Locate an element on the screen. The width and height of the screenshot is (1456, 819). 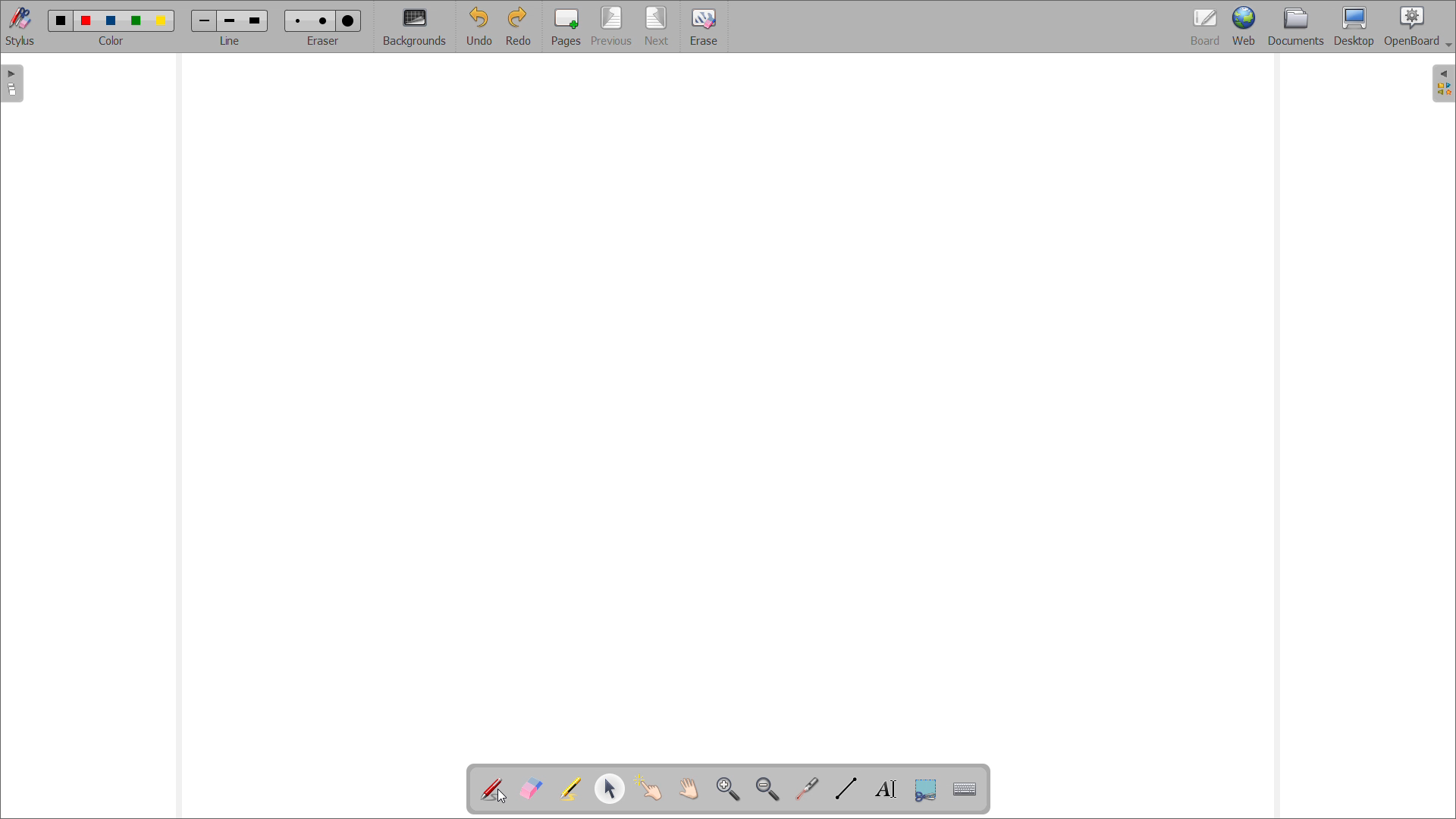
Eraser size is located at coordinates (323, 20).